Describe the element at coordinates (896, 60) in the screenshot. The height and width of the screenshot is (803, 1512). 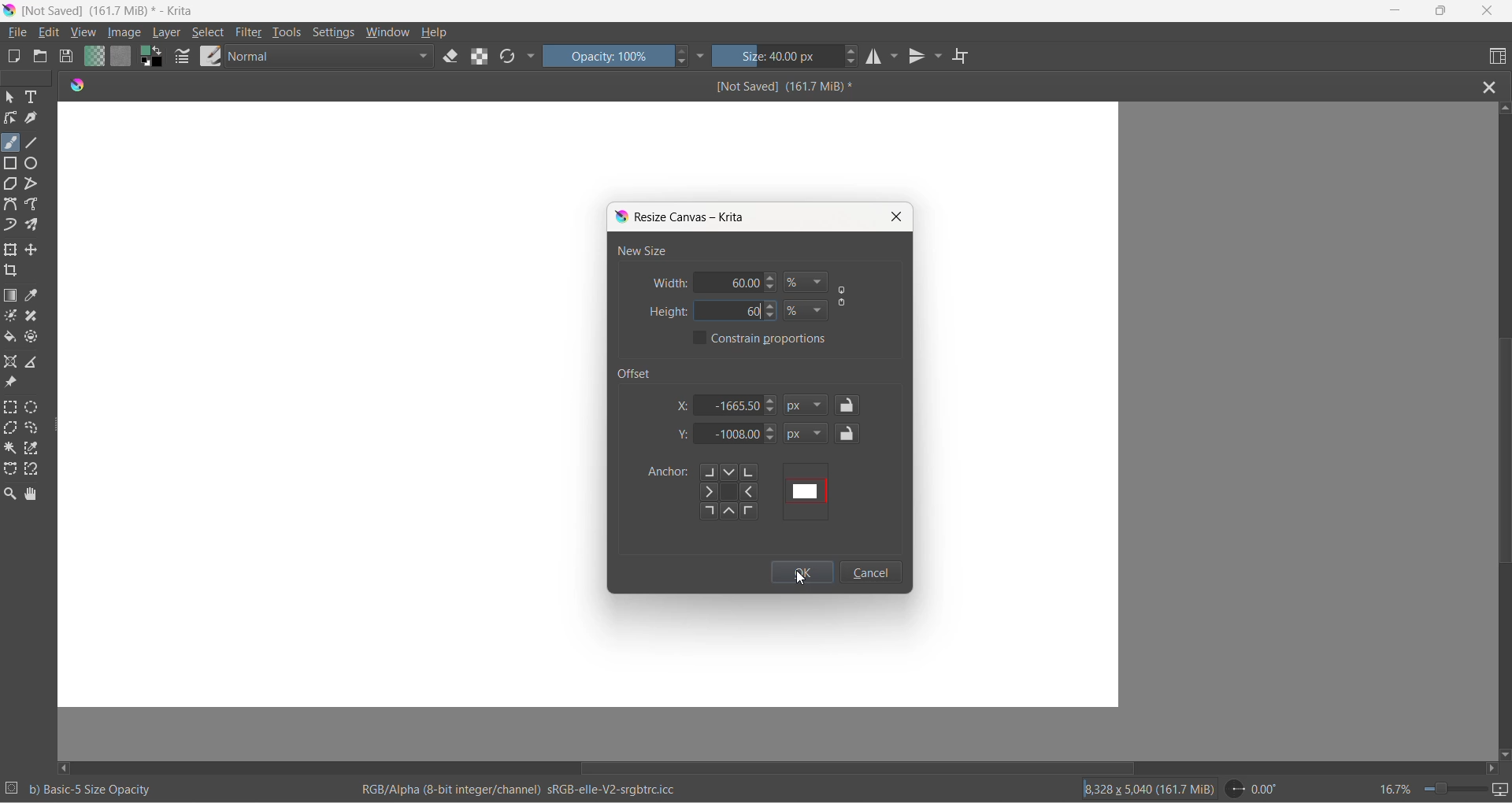
I see `horizontal mirror tool settings dropdown button` at that location.